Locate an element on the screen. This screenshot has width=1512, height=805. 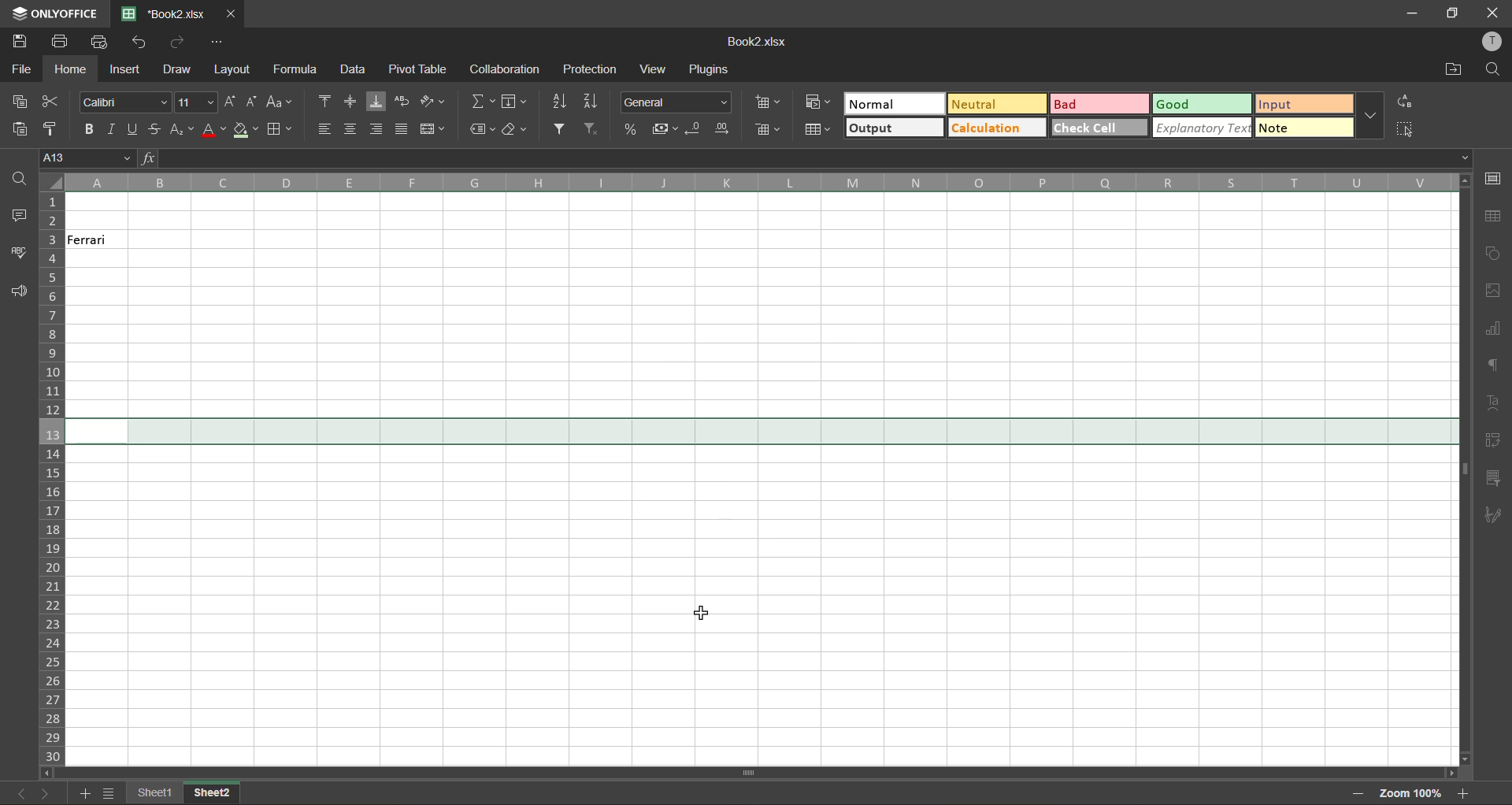
normal is located at coordinates (895, 105).